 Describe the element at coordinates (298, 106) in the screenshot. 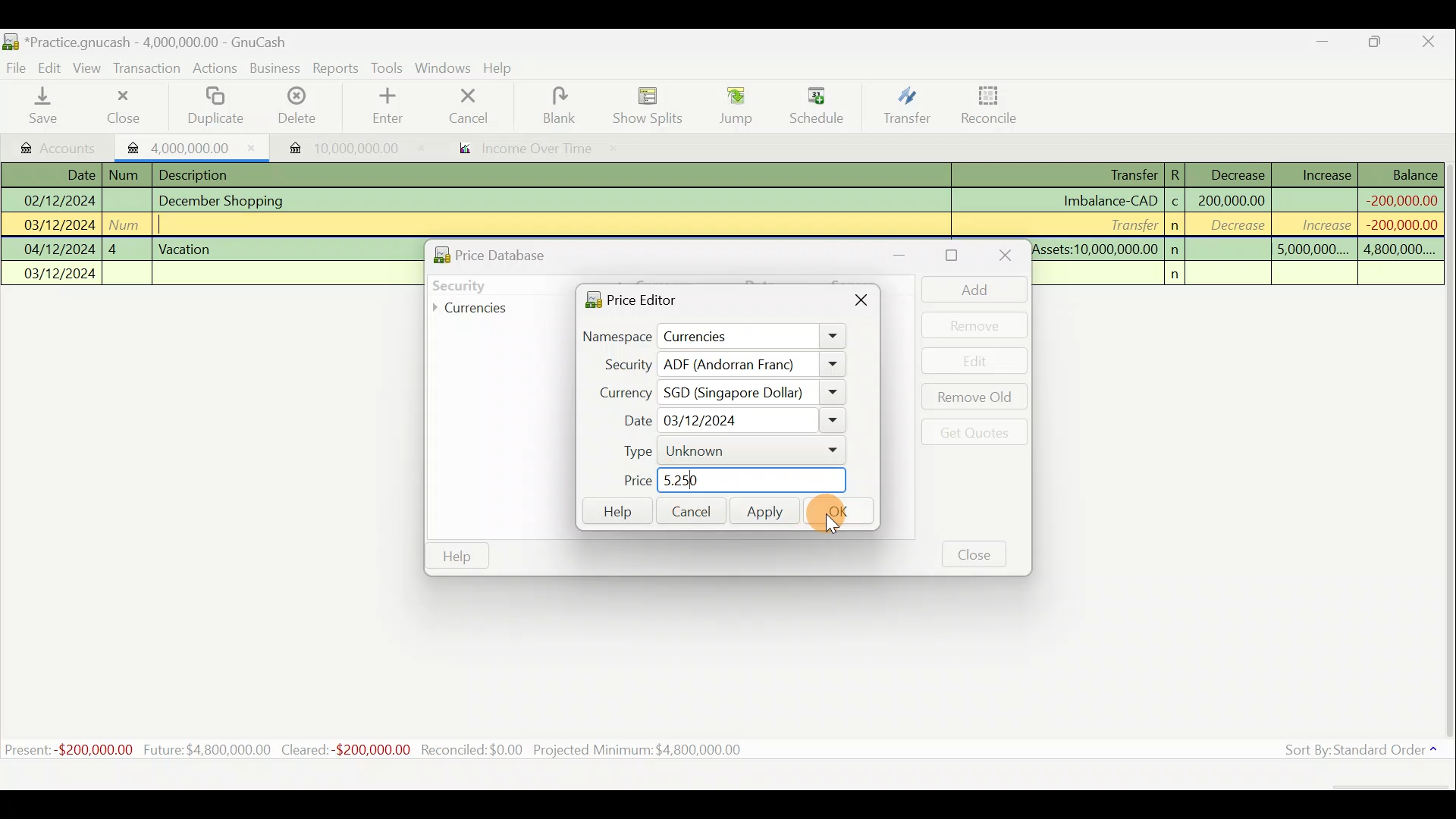

I see `Delete` at that location.